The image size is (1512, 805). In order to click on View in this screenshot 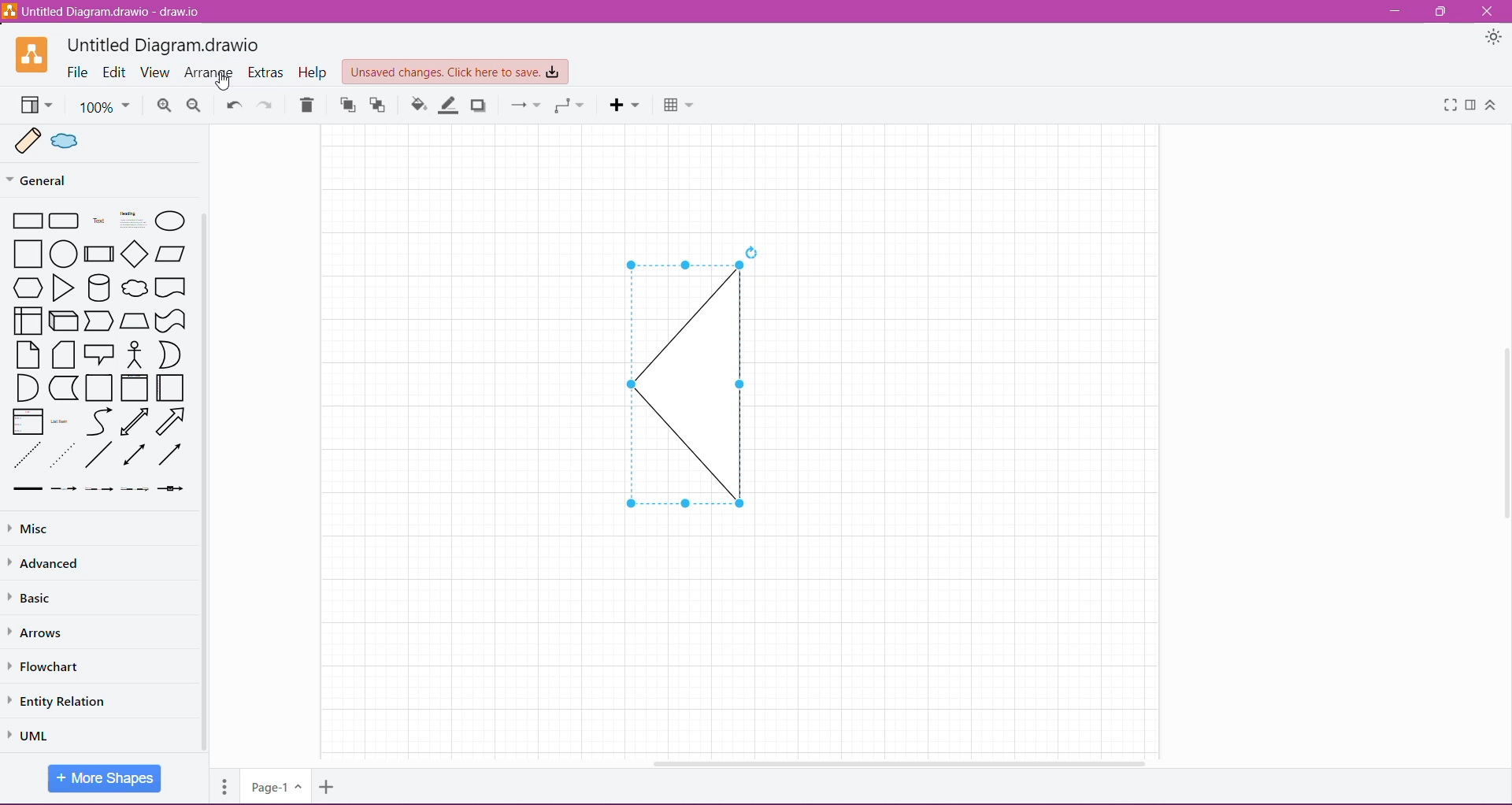, I will do `click(157, 72)`.